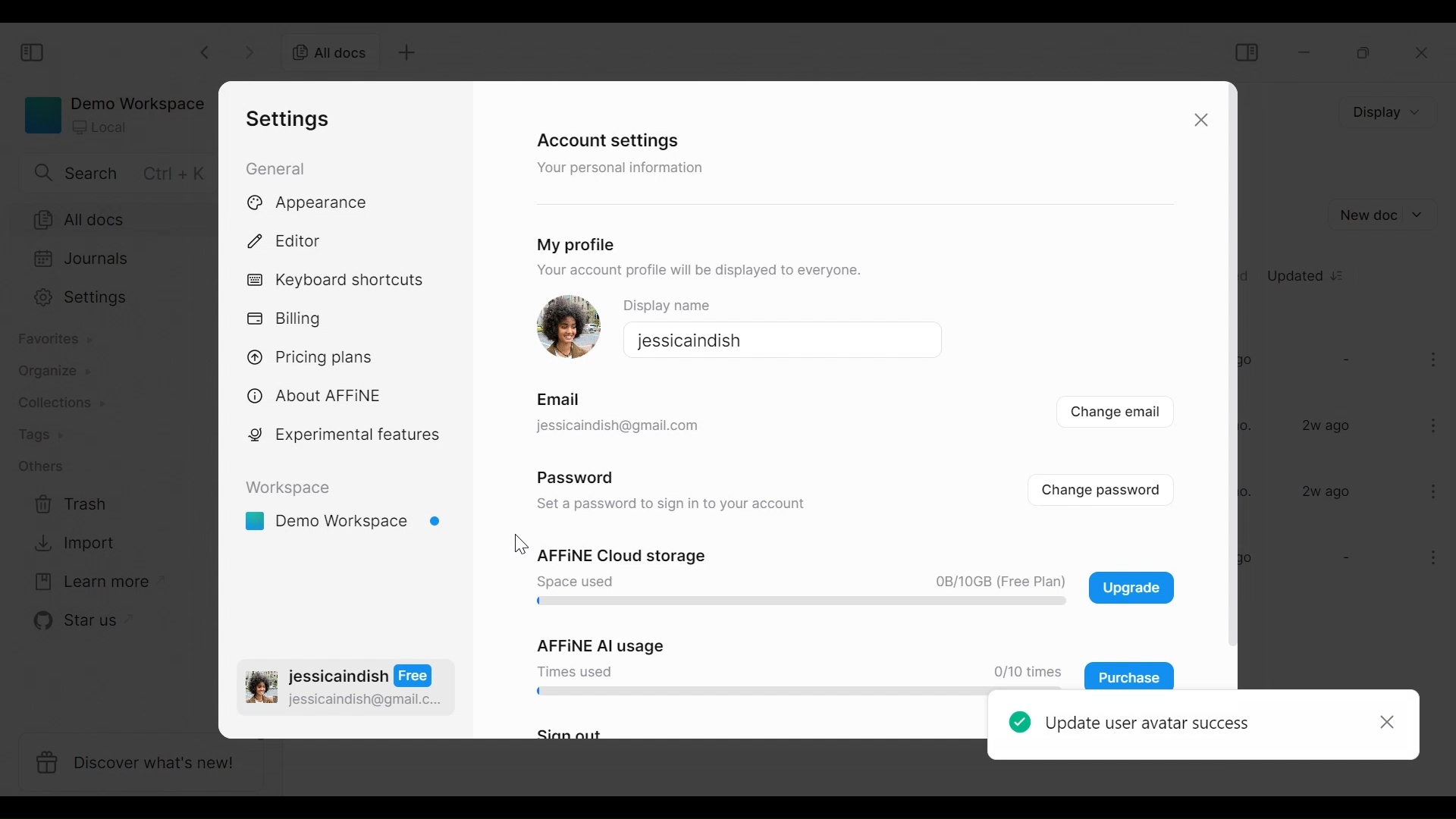 The width and height of the screenshot is (1456, 819). I want to click on , so click(672, 504).